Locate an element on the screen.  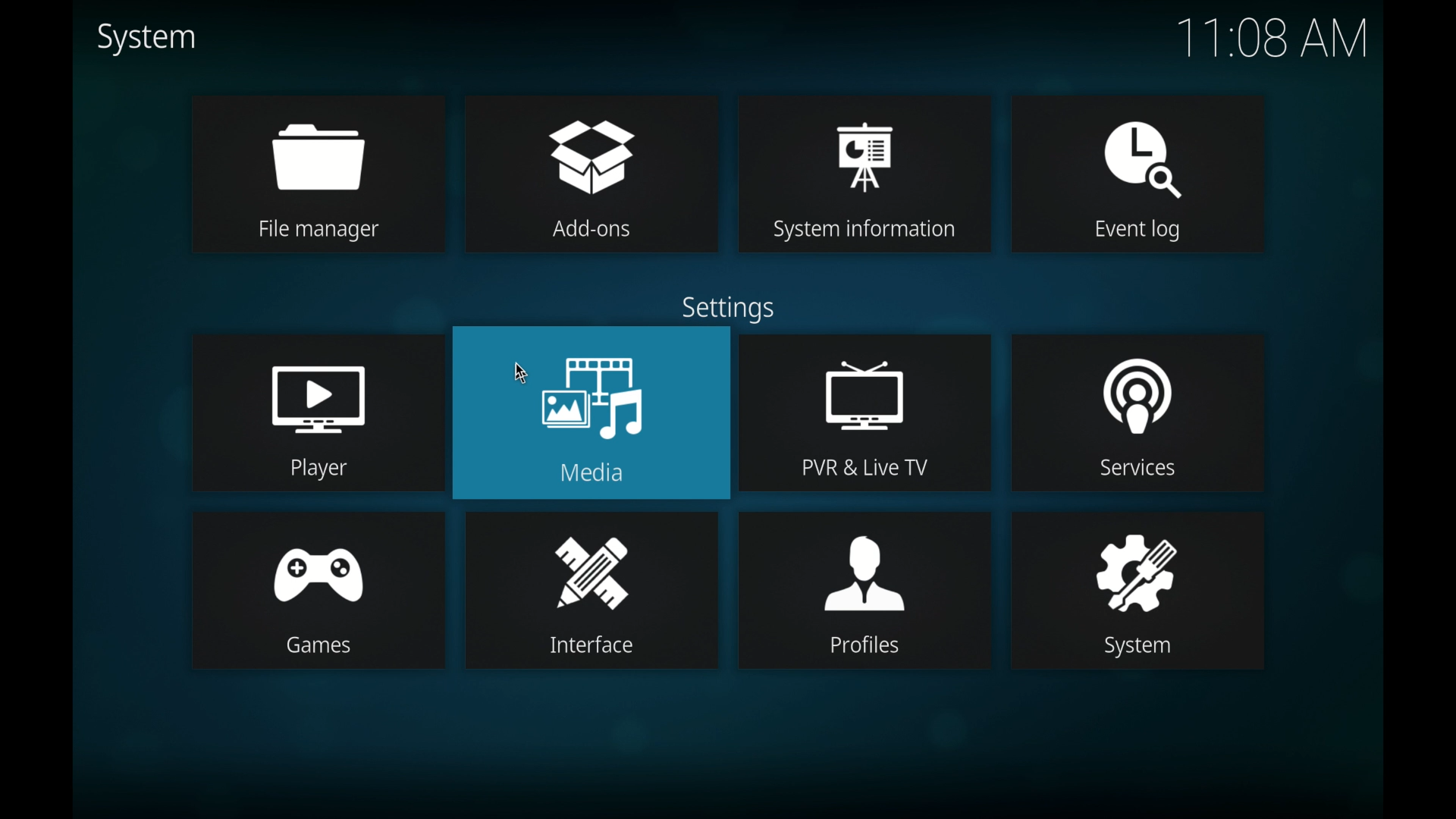
games is located at coordinates (318, 590).